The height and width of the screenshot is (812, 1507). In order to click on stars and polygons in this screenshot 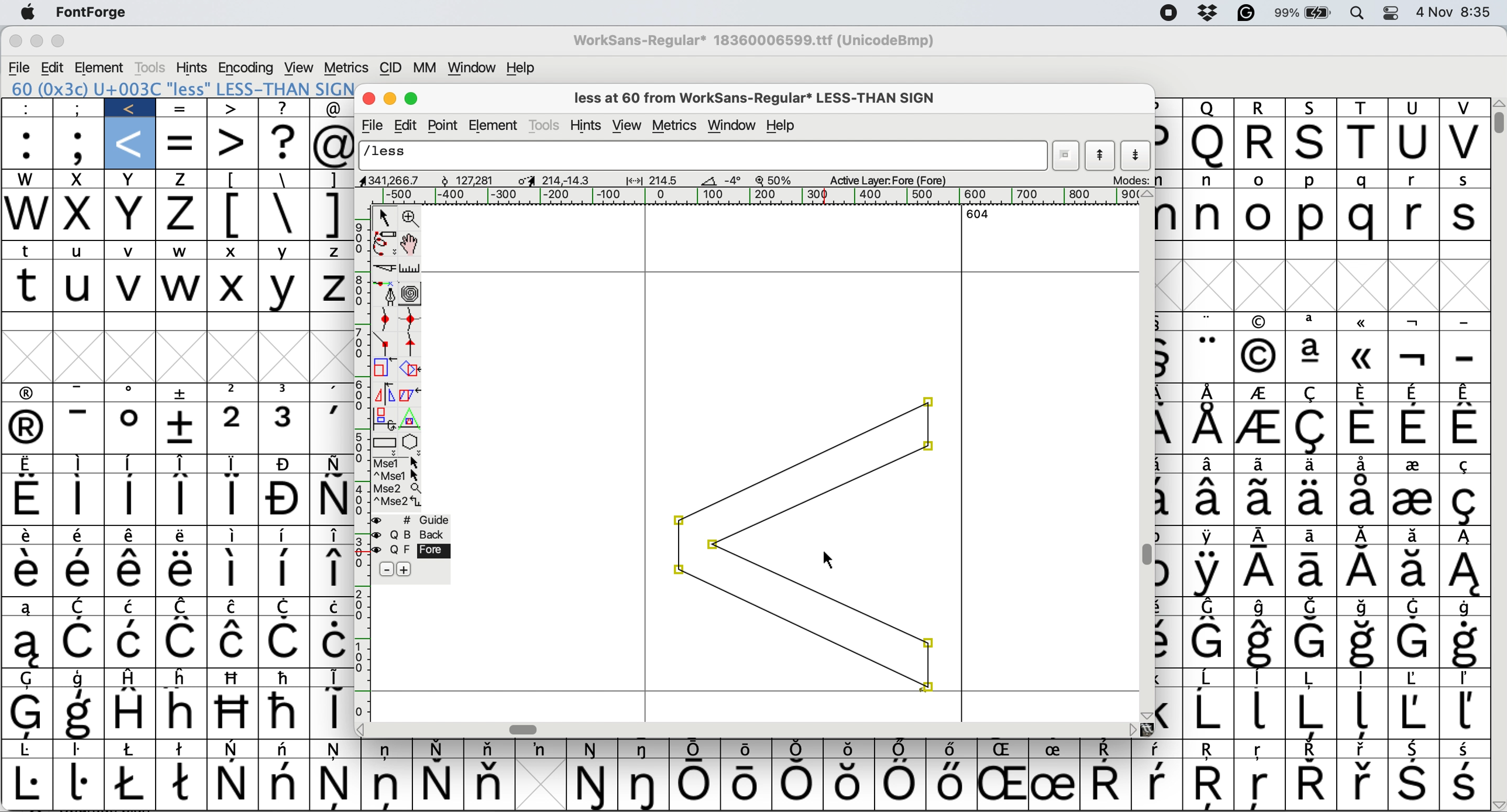, I will do `click(414, 440)`.